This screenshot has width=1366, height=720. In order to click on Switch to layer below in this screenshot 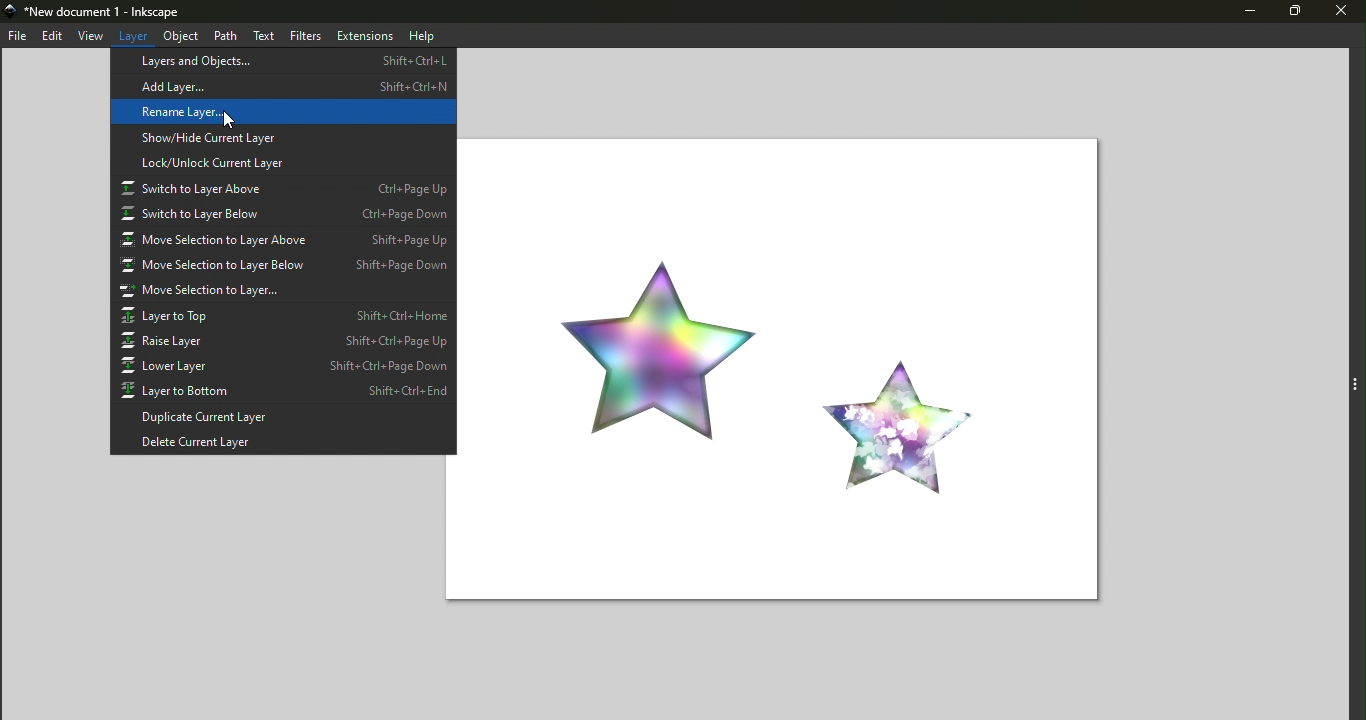, I will do `click(283, 213)`.